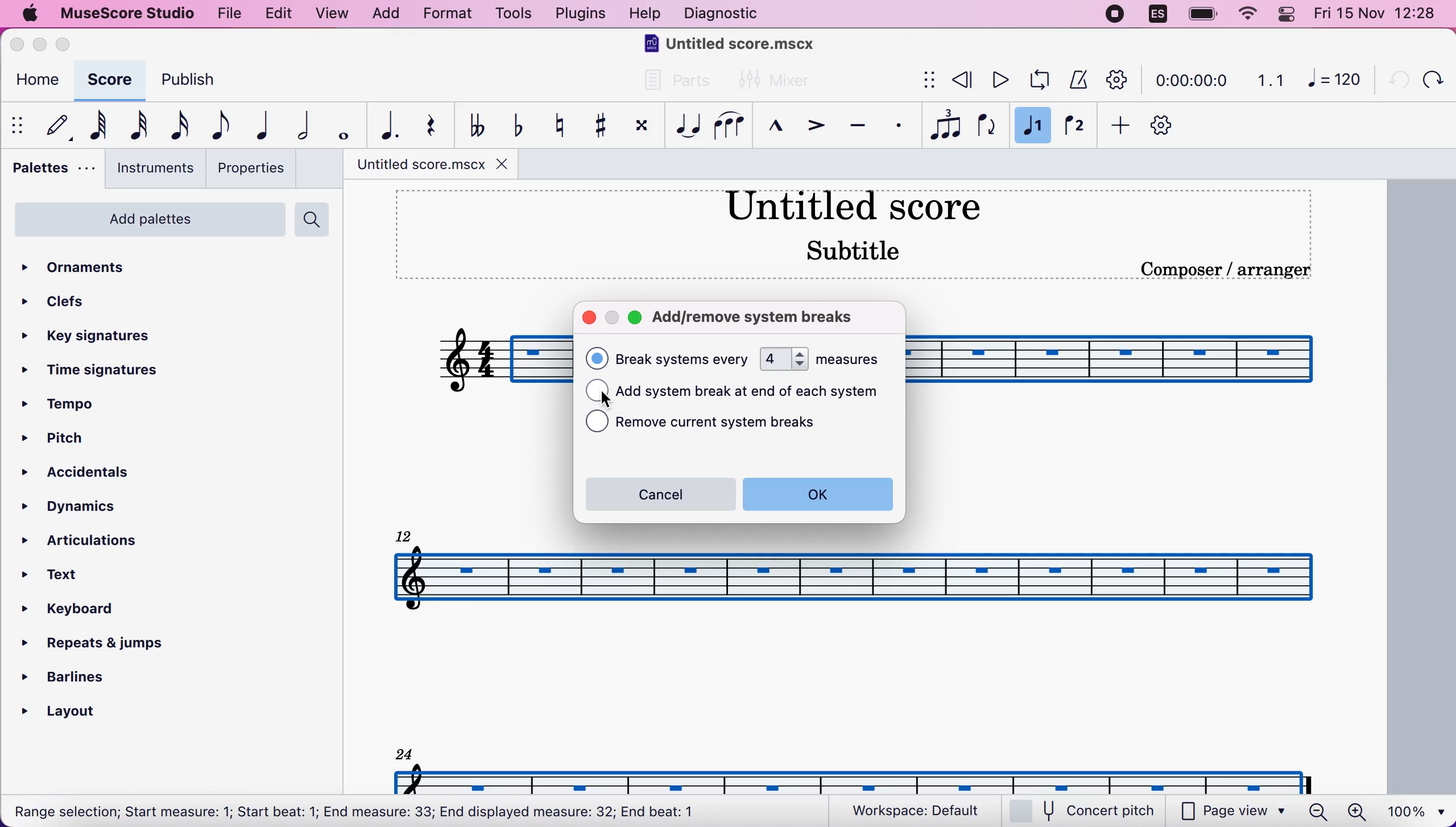  What do you see at coordinates (852, 204) in the screenshot?
I see `title` at bounding box center [852, 204].